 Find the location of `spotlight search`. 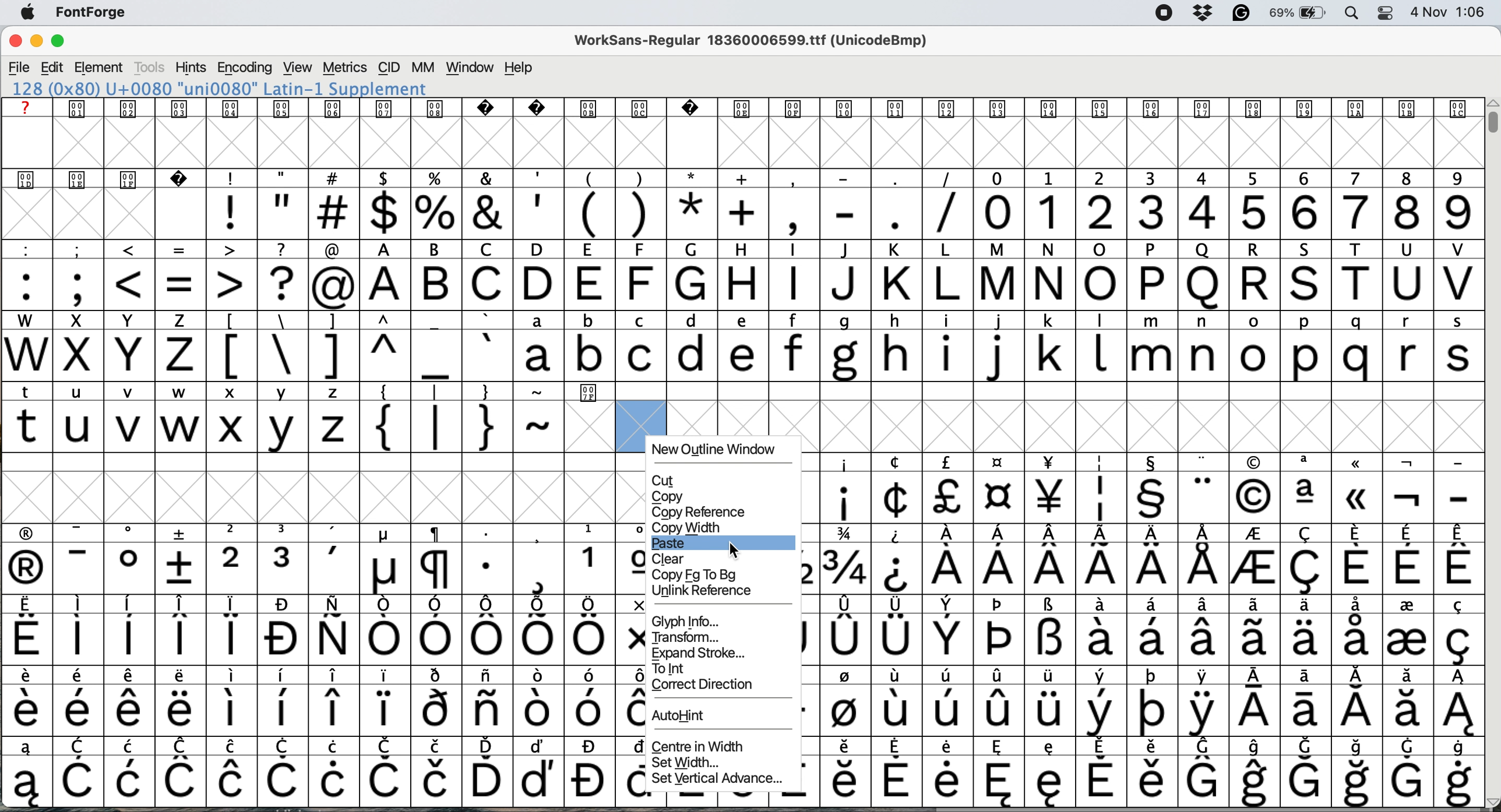

spotlight search is located at coordinates (1352, 14).